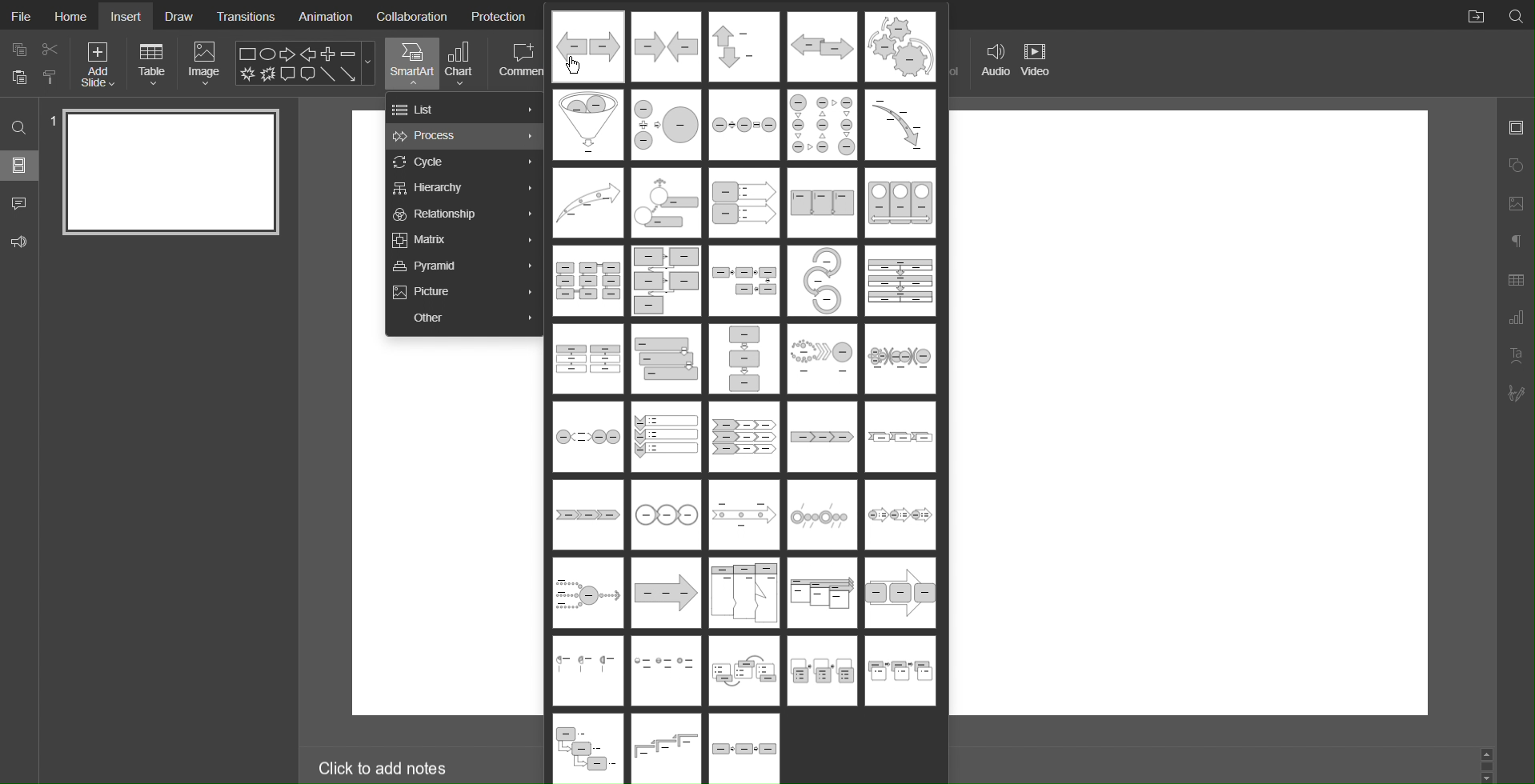 The width and height of the screenshot is (1535, 784). Describe the element at coordinates (170, 173) in the screenshot. I see `Slide 1` at that location.